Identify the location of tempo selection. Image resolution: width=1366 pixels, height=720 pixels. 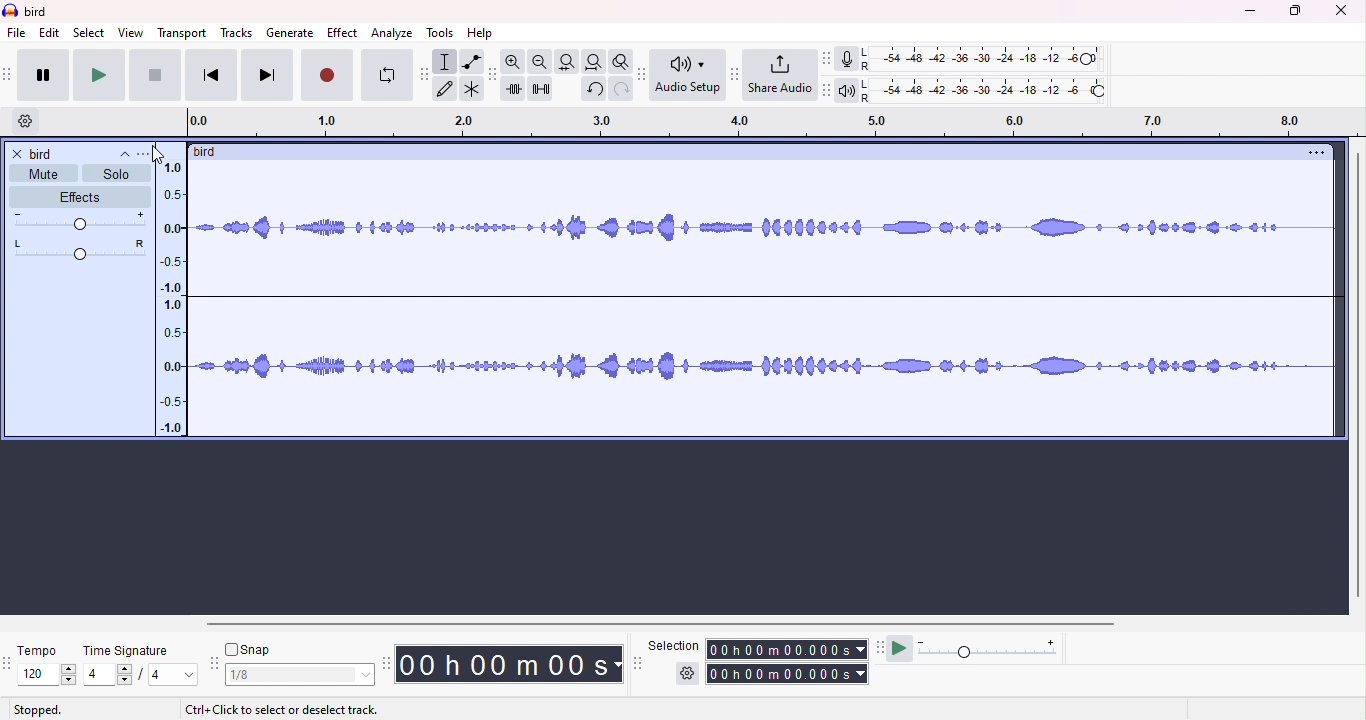
(39, 674).